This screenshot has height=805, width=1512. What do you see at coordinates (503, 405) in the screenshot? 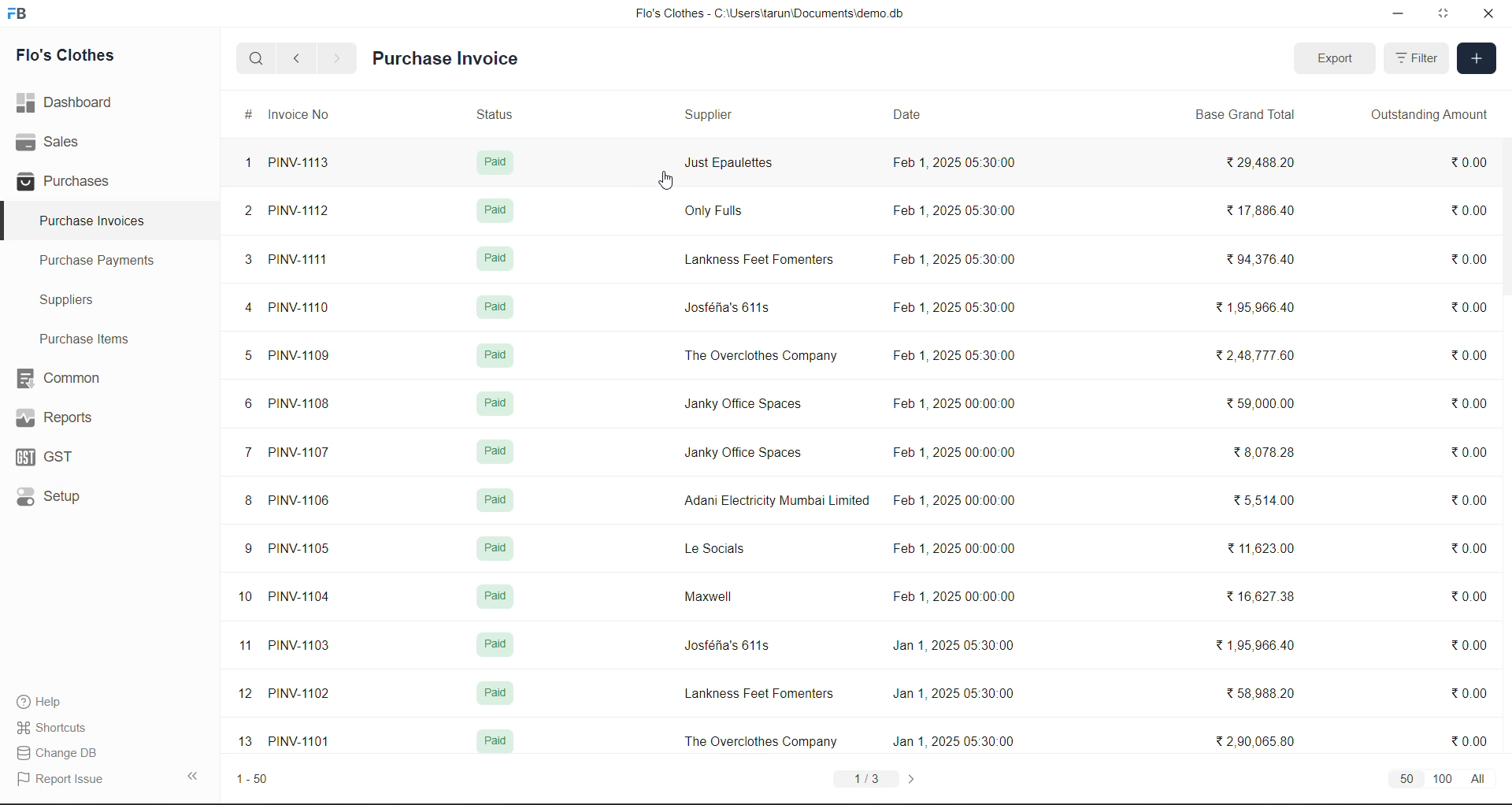
I see `Paid` at bounding box center [503, 405].